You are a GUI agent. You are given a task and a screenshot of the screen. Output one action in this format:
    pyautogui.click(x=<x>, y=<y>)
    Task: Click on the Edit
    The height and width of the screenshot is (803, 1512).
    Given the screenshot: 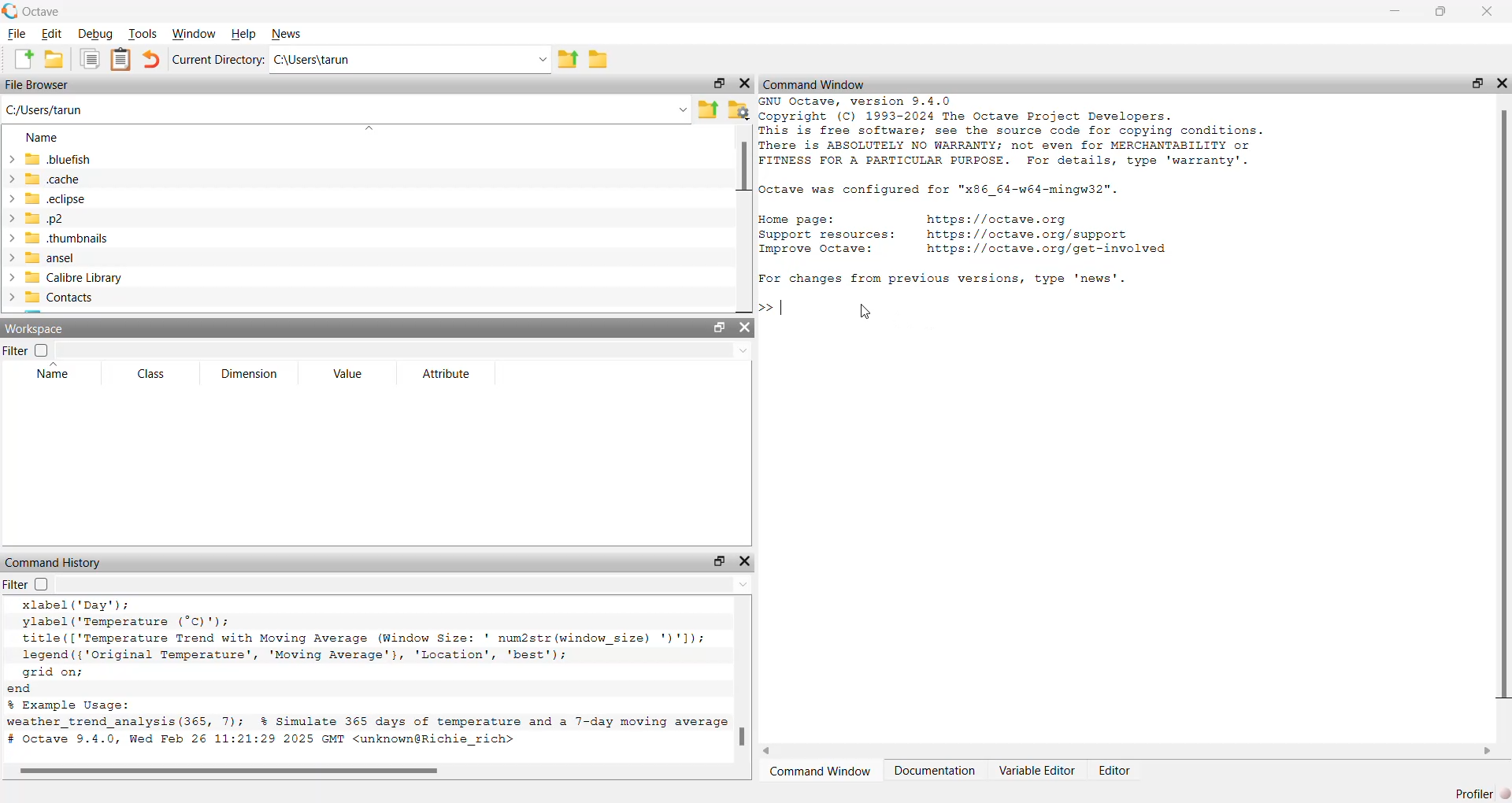 What is the action you would take?
    pyautogui.click(x=50, y=33)
    